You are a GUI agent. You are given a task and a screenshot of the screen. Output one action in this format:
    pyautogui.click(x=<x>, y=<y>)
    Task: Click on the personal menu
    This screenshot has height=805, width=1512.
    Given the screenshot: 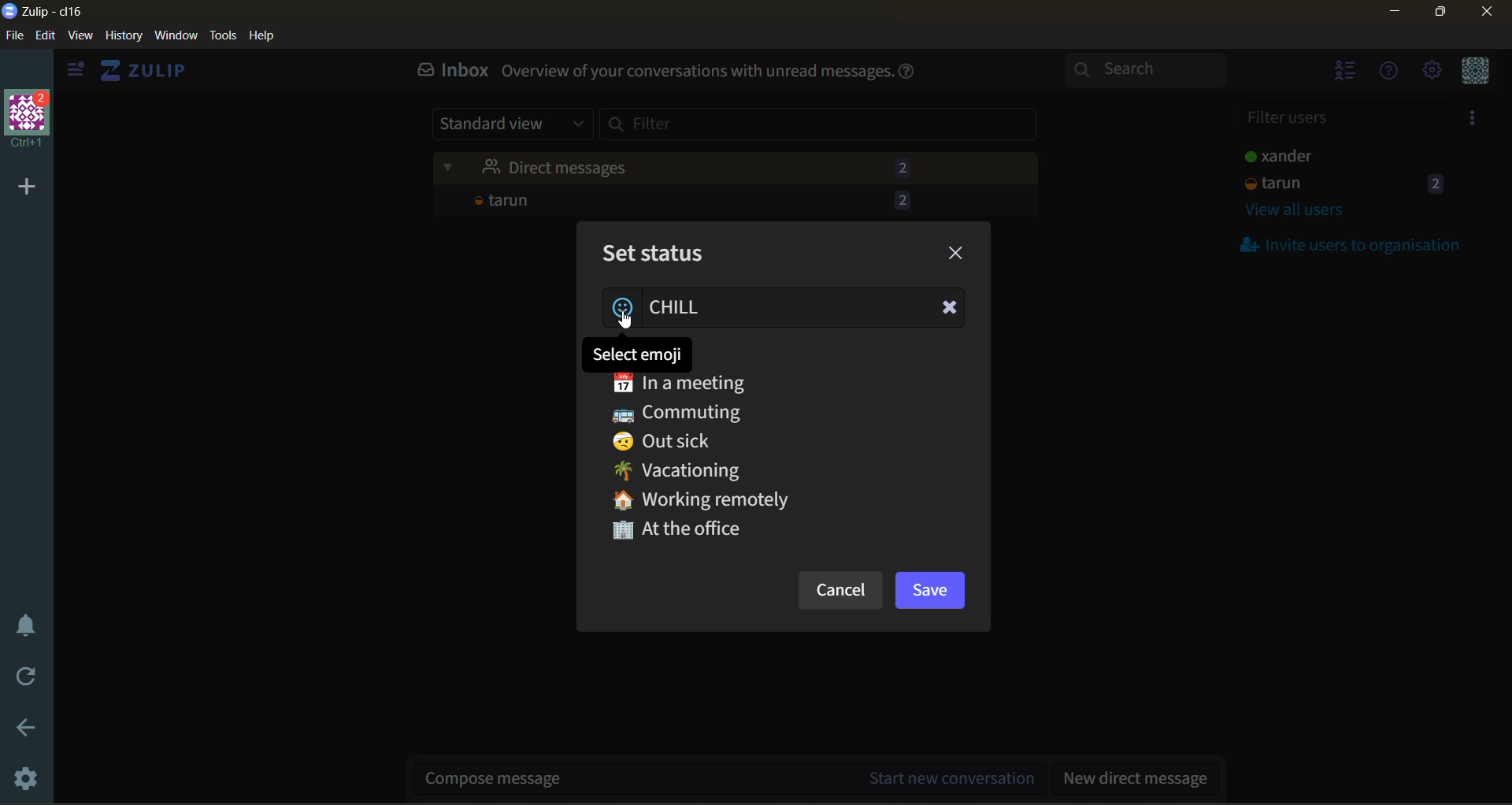 What is the action you would take?
    pyautogui.click(x=1474, y=73)
    